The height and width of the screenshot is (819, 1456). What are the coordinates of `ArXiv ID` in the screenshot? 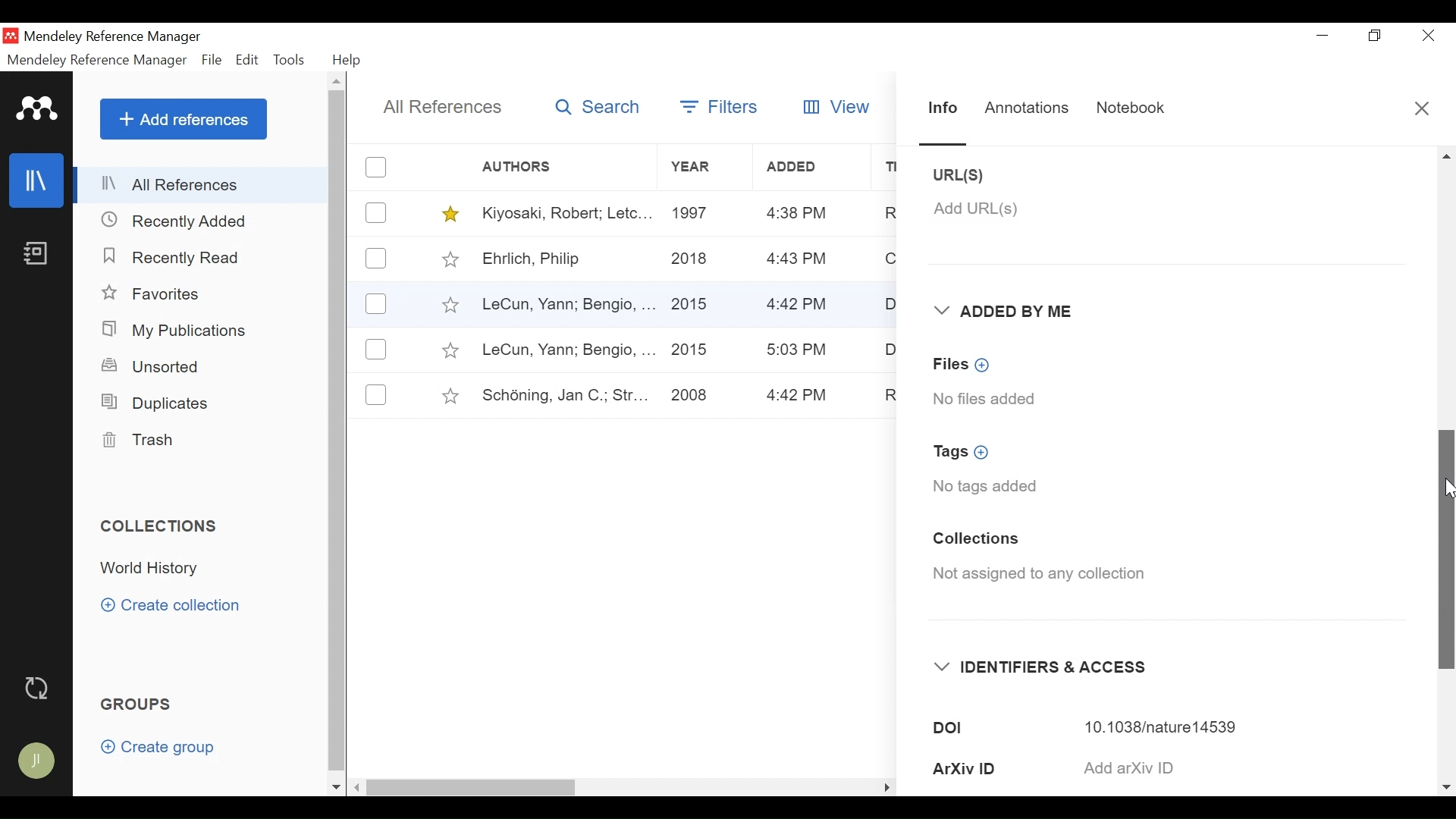 It's located at (1172, 767).